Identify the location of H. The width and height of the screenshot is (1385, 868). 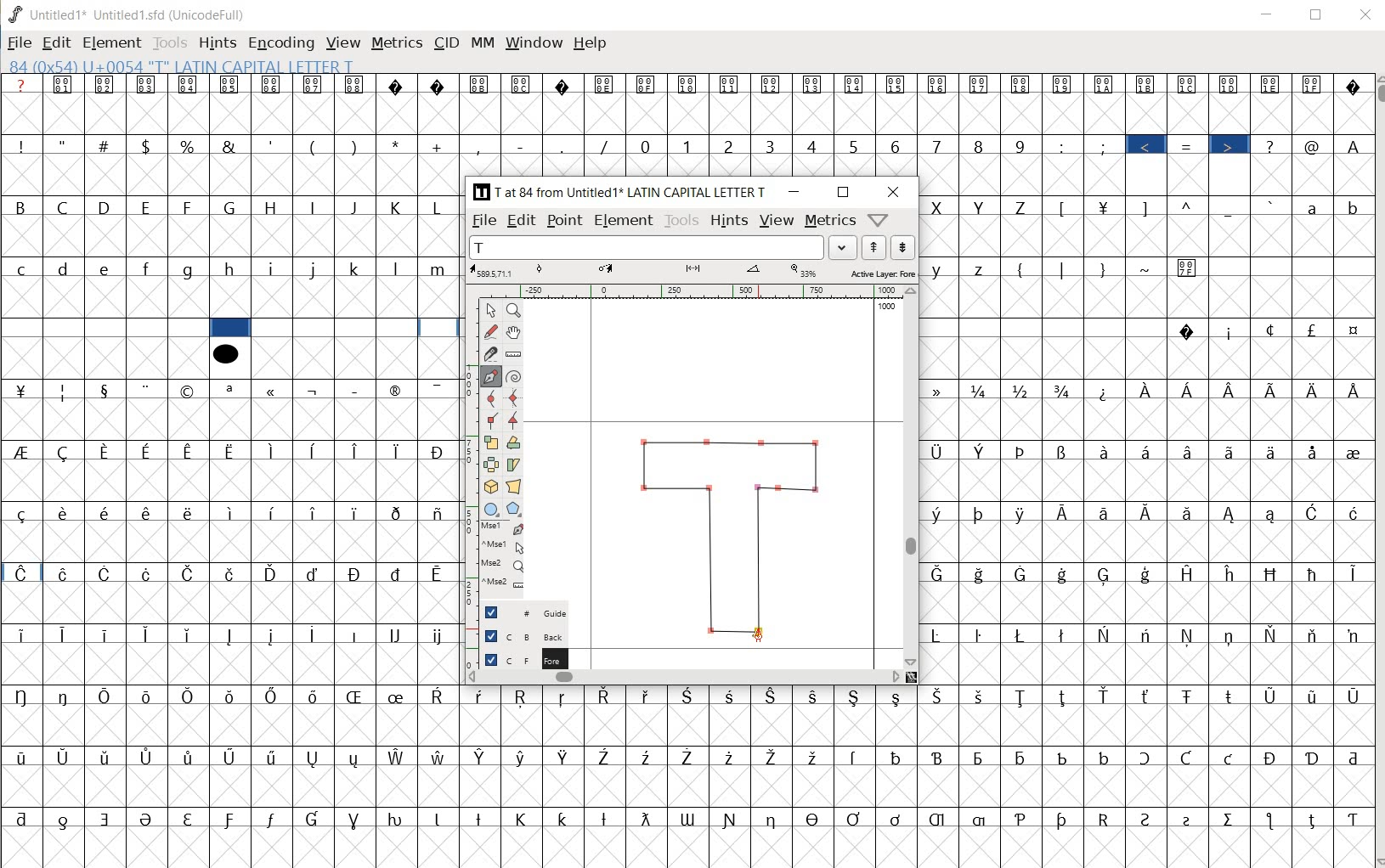
(273, 207).